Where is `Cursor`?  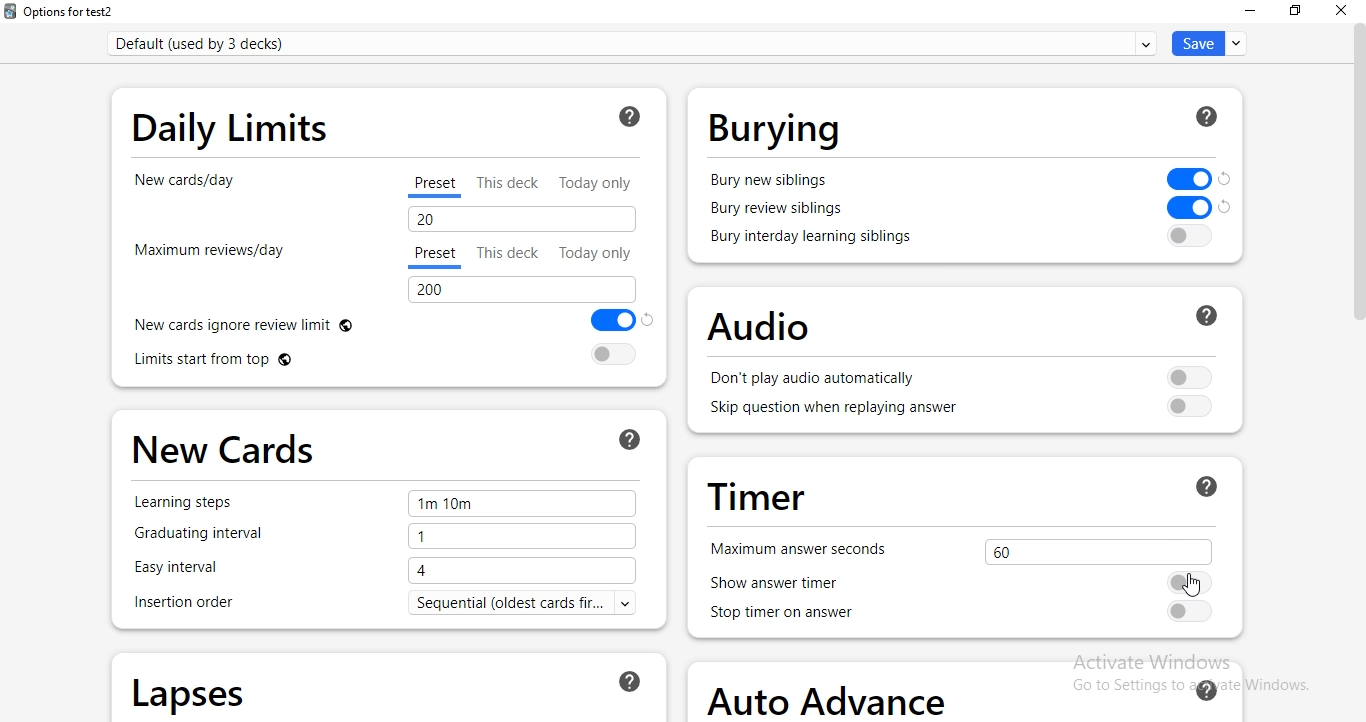 Cursor is located at coordinates (1190, 584).